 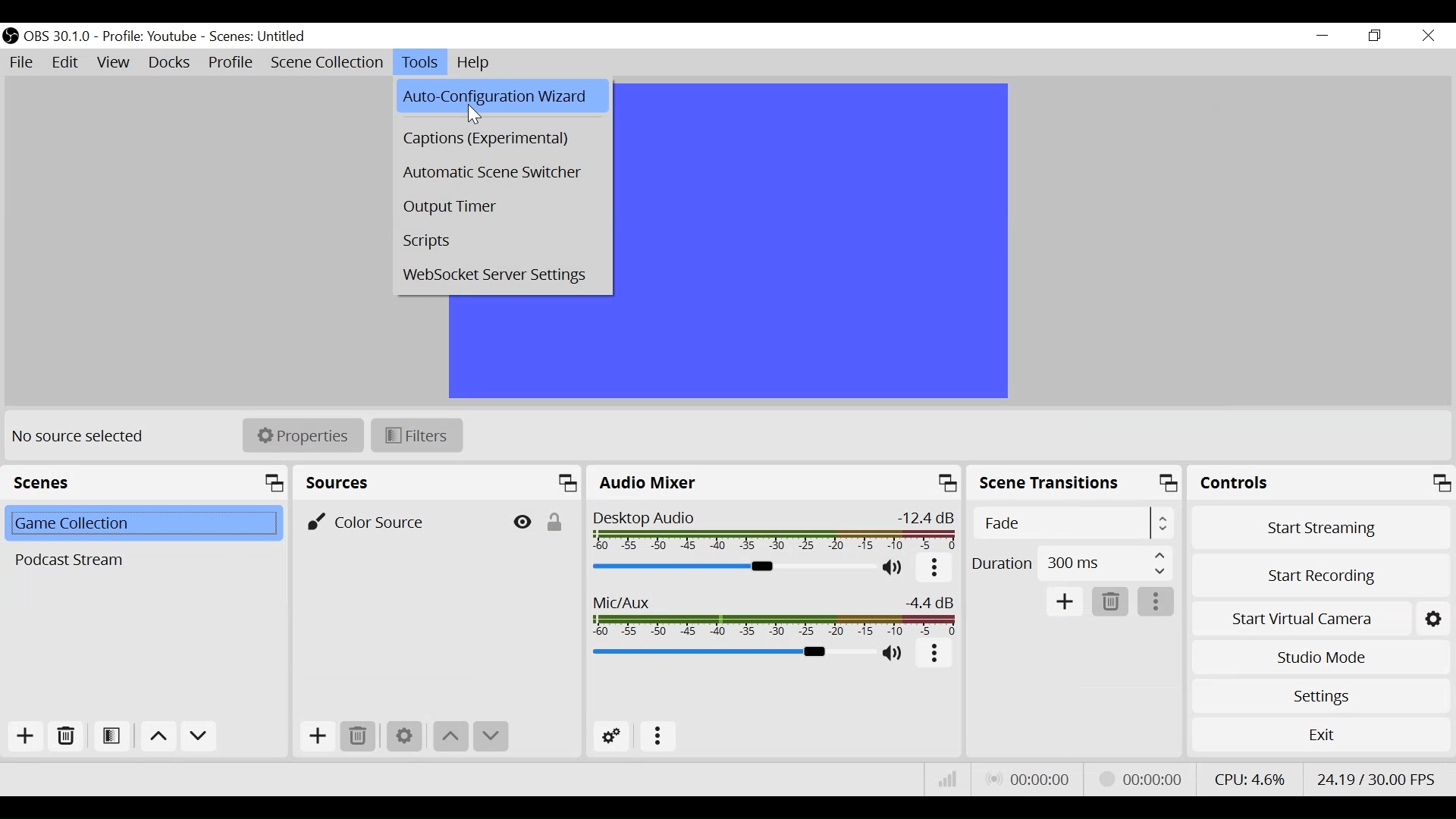 I want to click on move down, so click(x=199, y=737).